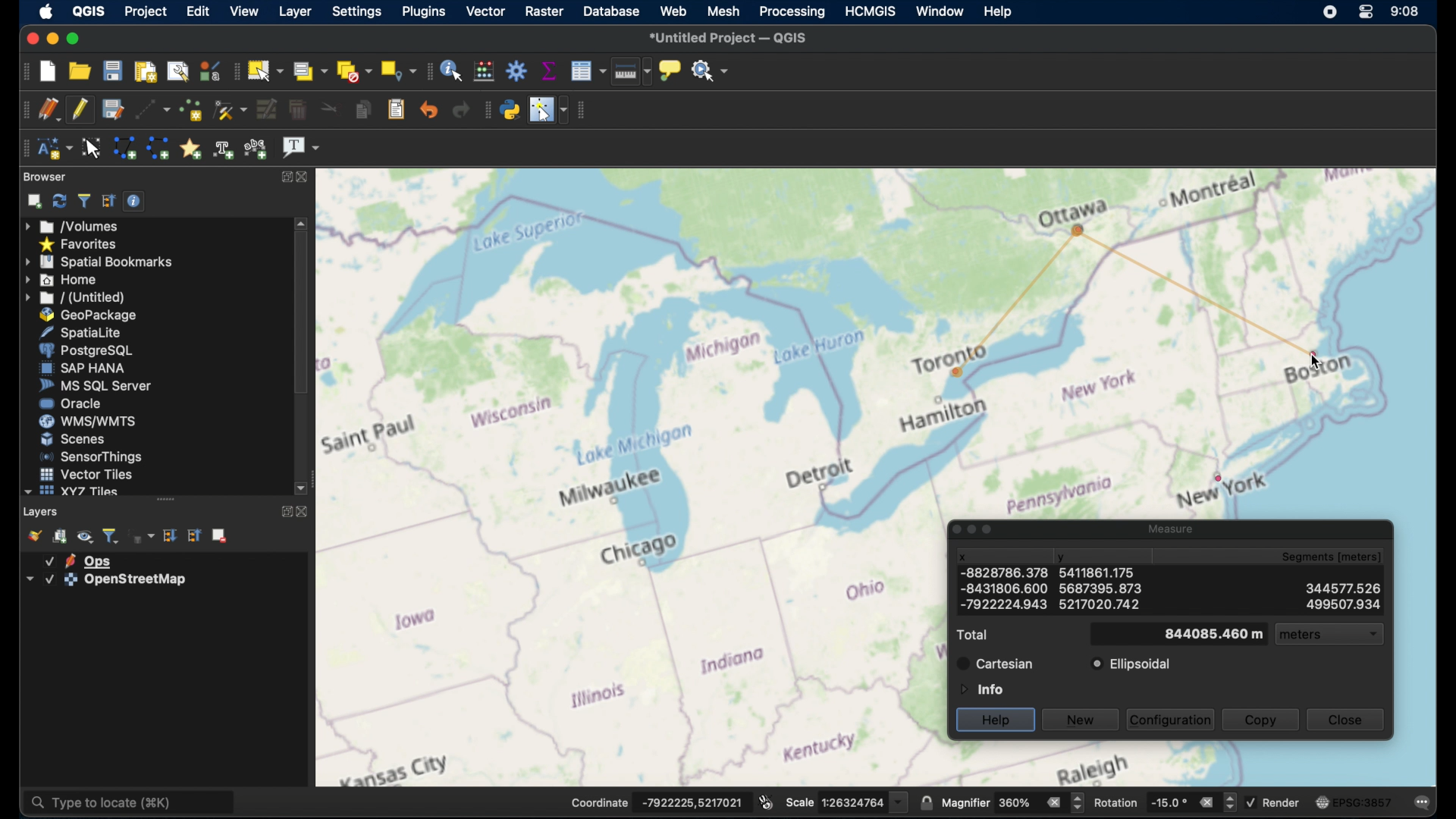  What do you see at coordinates (221, 537) in the screenshot?
I see `remove. layer group` at bounding box center [221, 537].